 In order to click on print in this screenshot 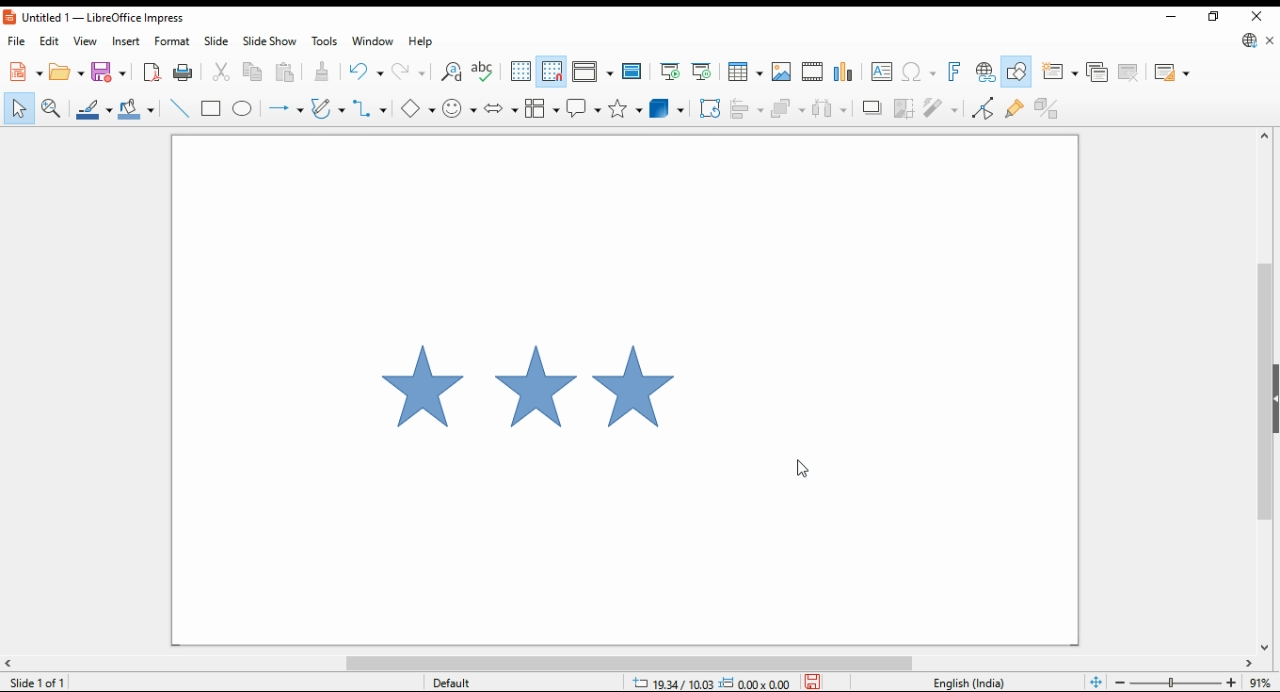, I will do `click(182, 72)`.